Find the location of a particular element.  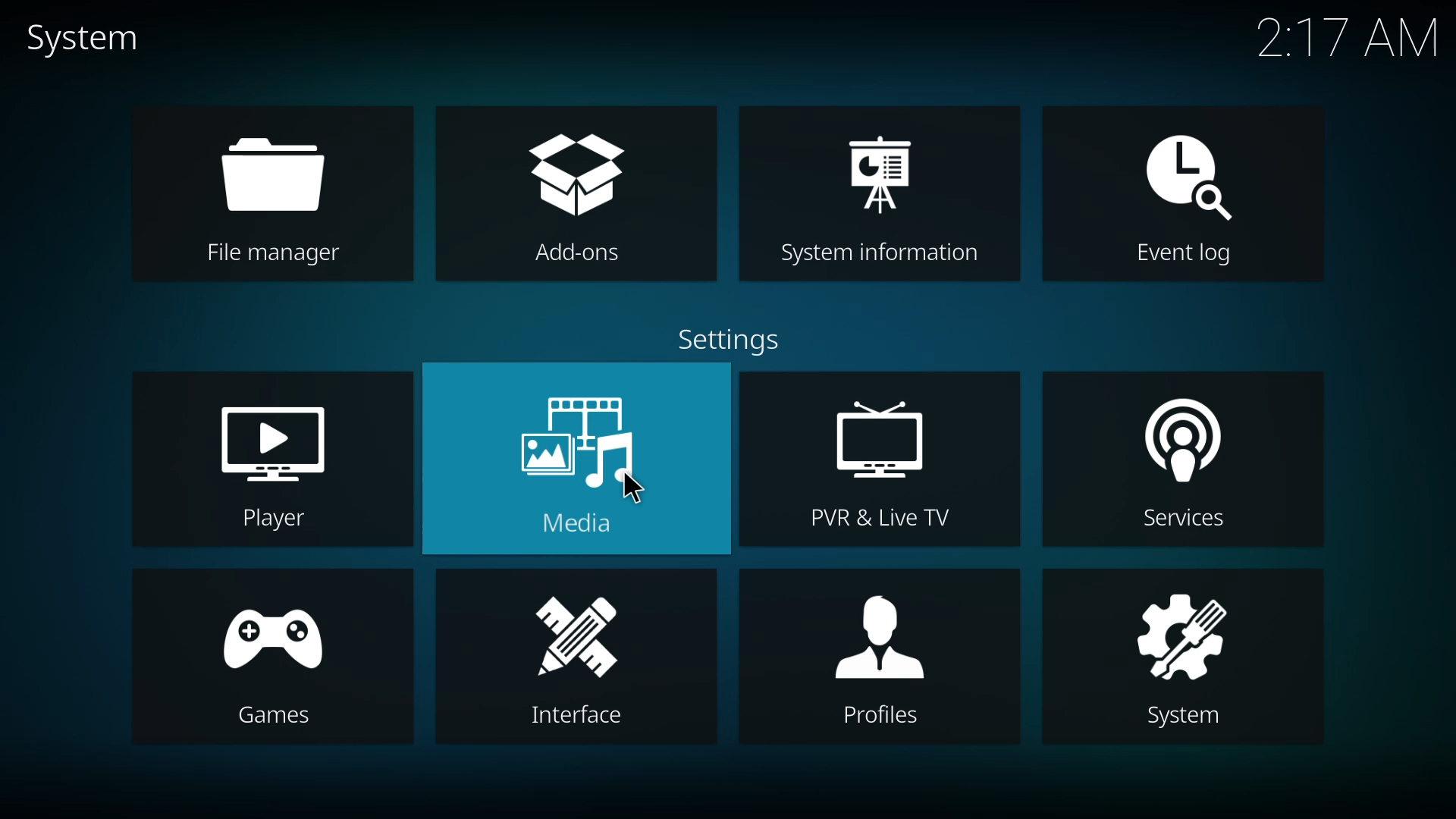

cursor is located at coordinates (634, 491).